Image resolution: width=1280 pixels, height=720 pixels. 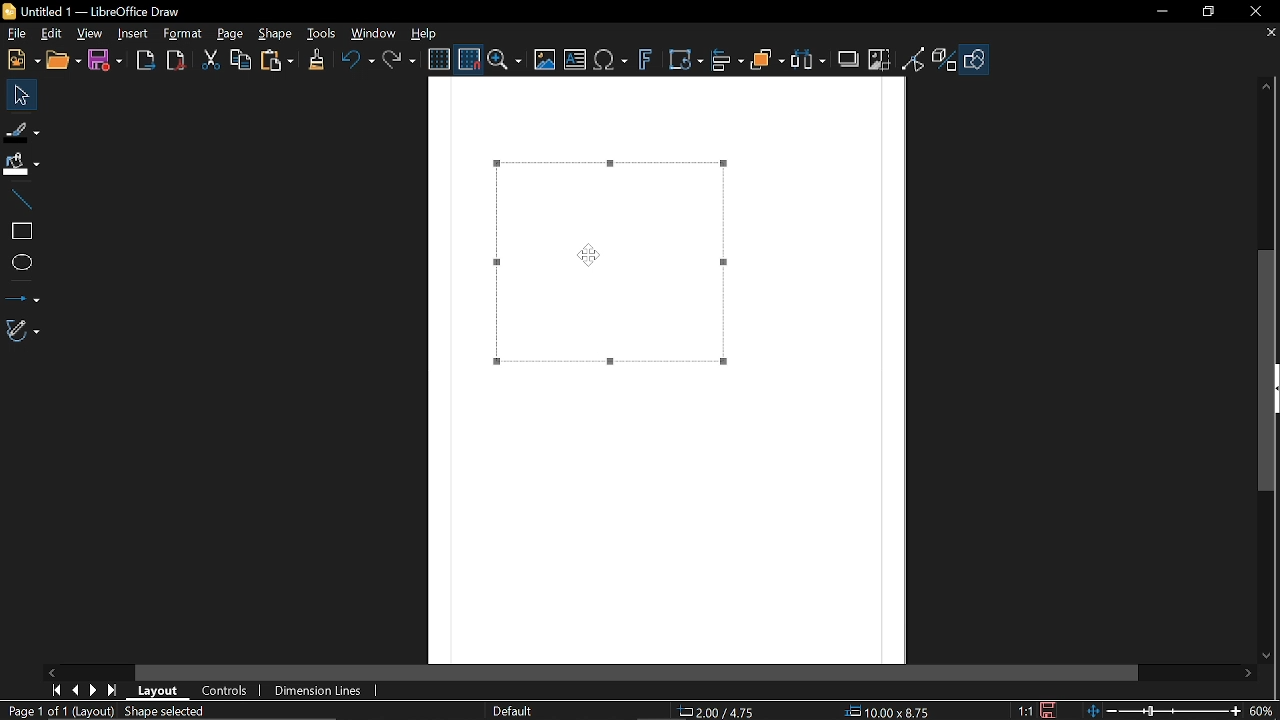 What do you see at coordinates (318, 58) in the screenshot?
I see `CLone` at bounding box center [318, 58].